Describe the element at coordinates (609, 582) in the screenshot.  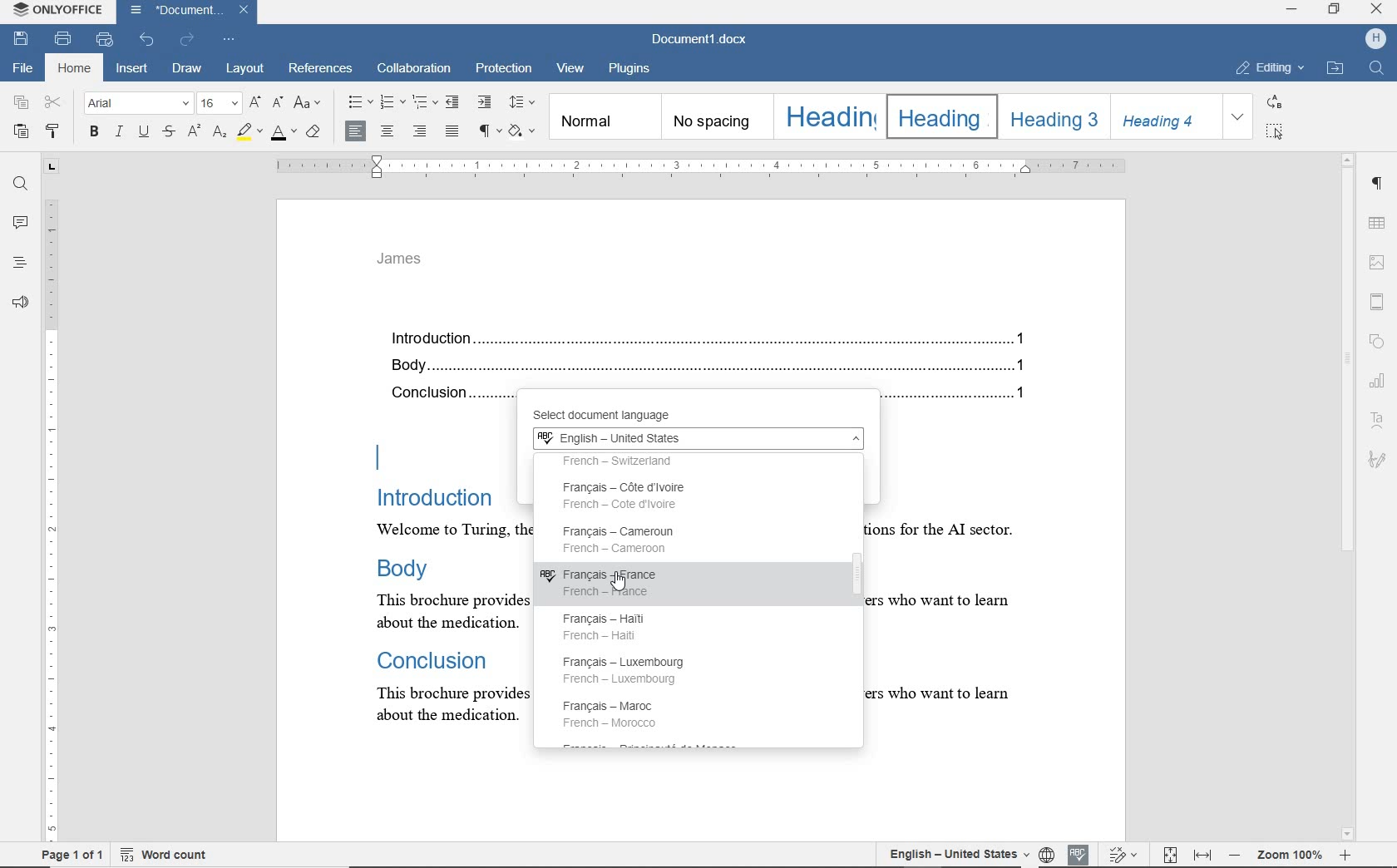
I see `François - France` at that location.